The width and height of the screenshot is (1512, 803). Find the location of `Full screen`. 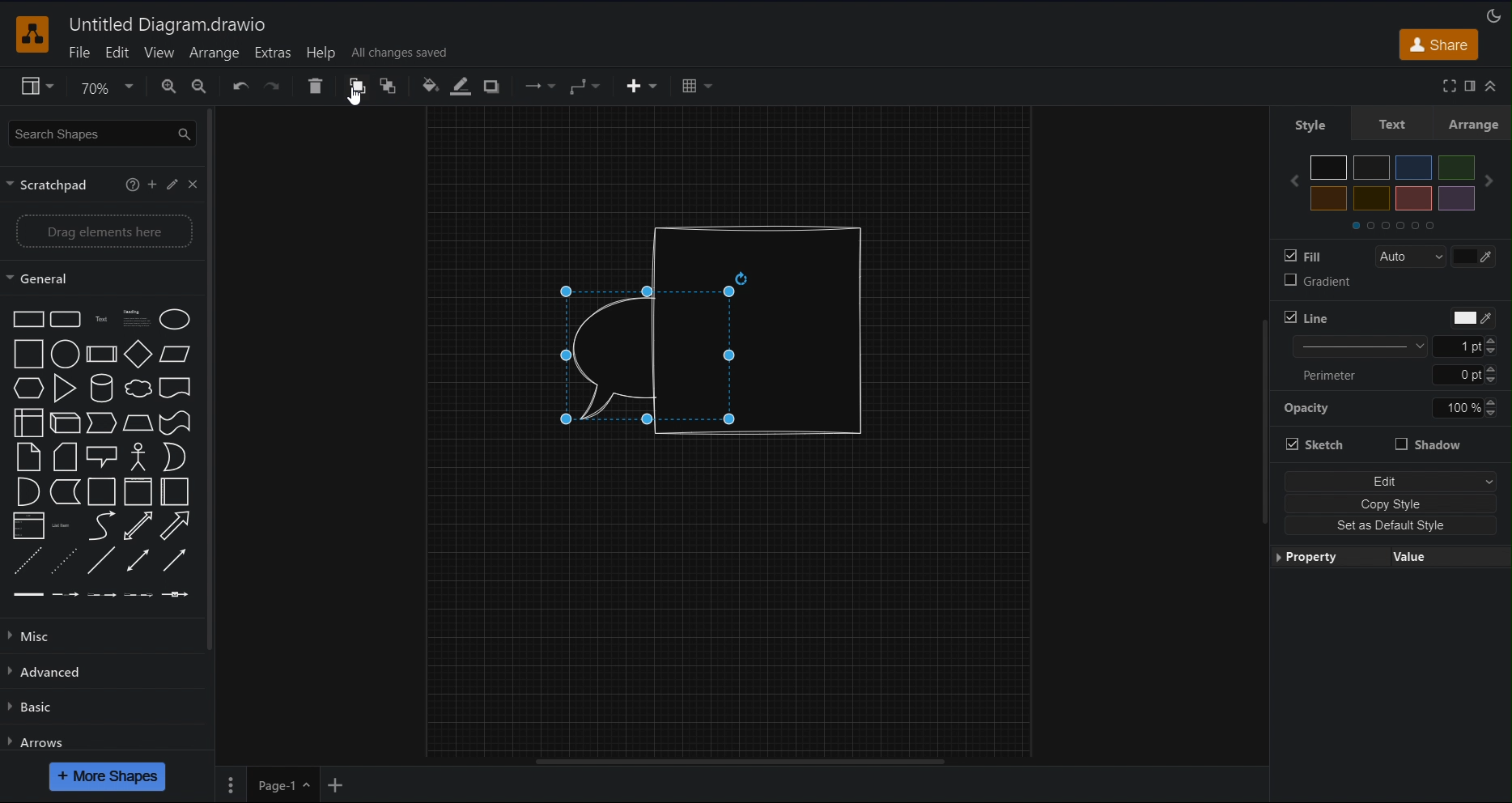

Full screen is located at coordinates (1450, 86).